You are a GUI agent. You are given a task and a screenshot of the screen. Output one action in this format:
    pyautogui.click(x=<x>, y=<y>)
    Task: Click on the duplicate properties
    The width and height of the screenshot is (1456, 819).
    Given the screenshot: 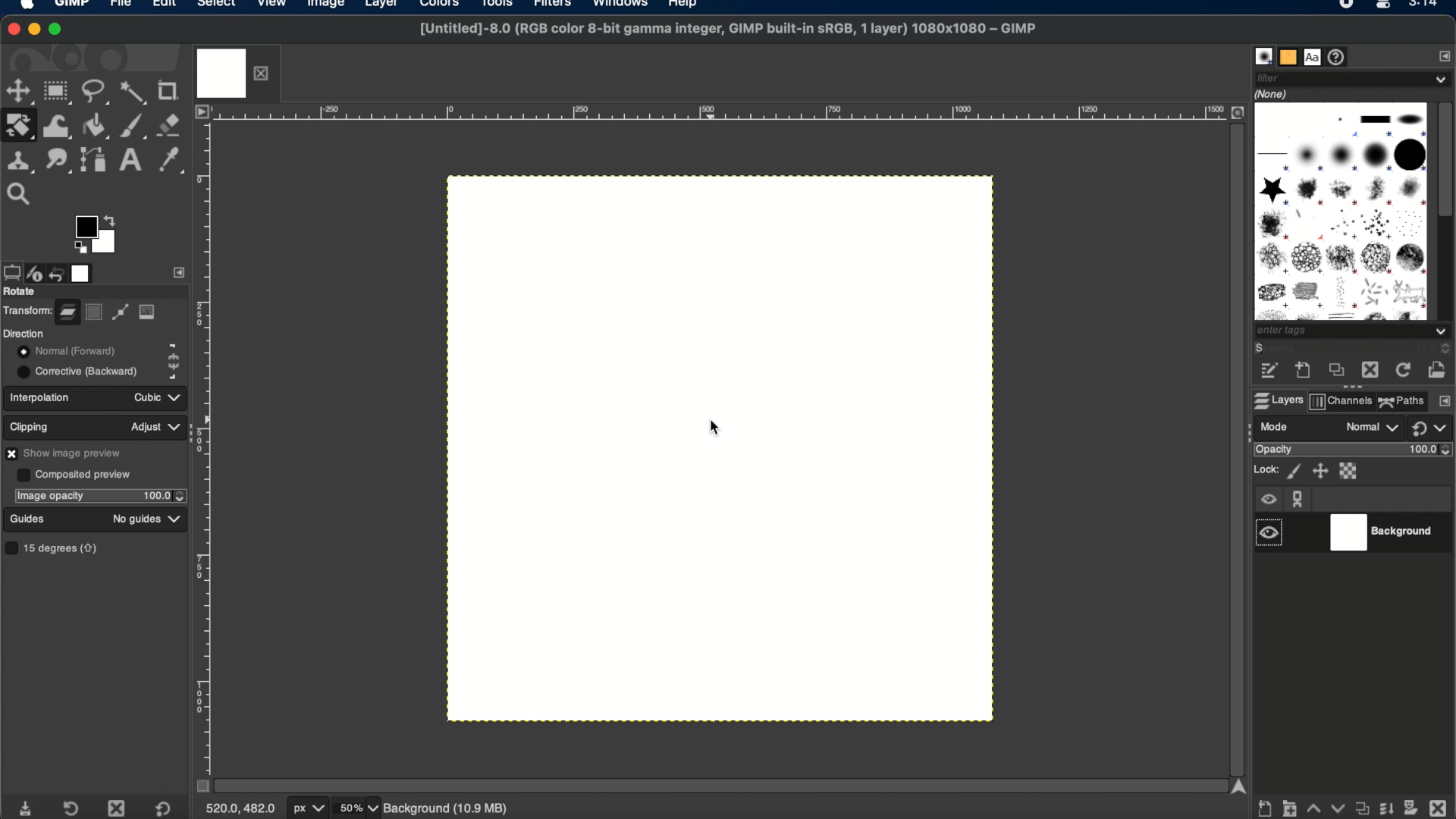 What is the action you would take?
    pyautogui.click(x=1360, y=805)
    